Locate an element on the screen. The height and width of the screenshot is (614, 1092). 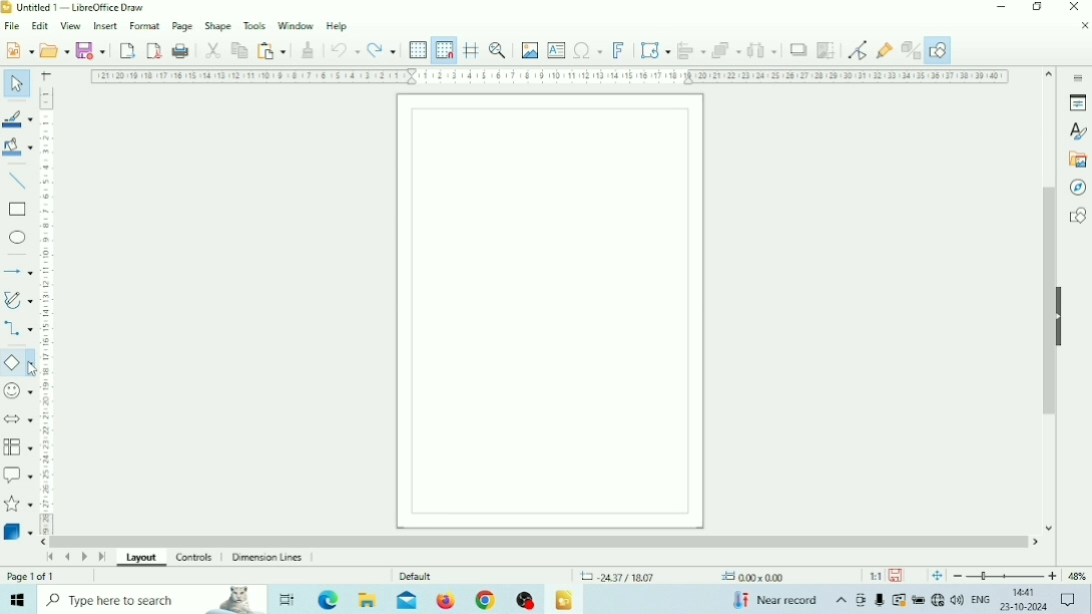
Zoom factor is located at coordinates (1077, 576).